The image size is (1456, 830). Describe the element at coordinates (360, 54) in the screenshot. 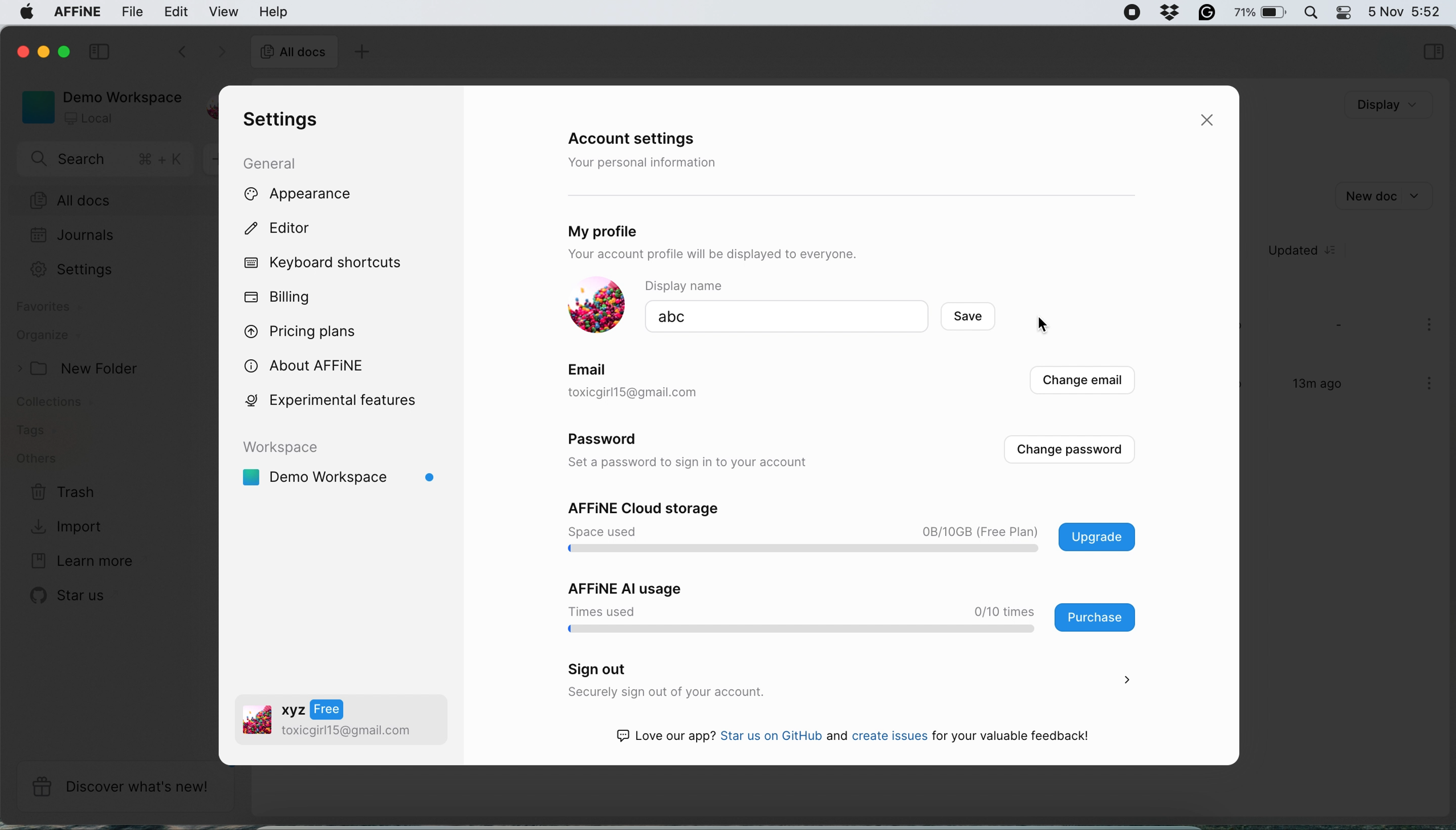

I see `add doc` at that location.